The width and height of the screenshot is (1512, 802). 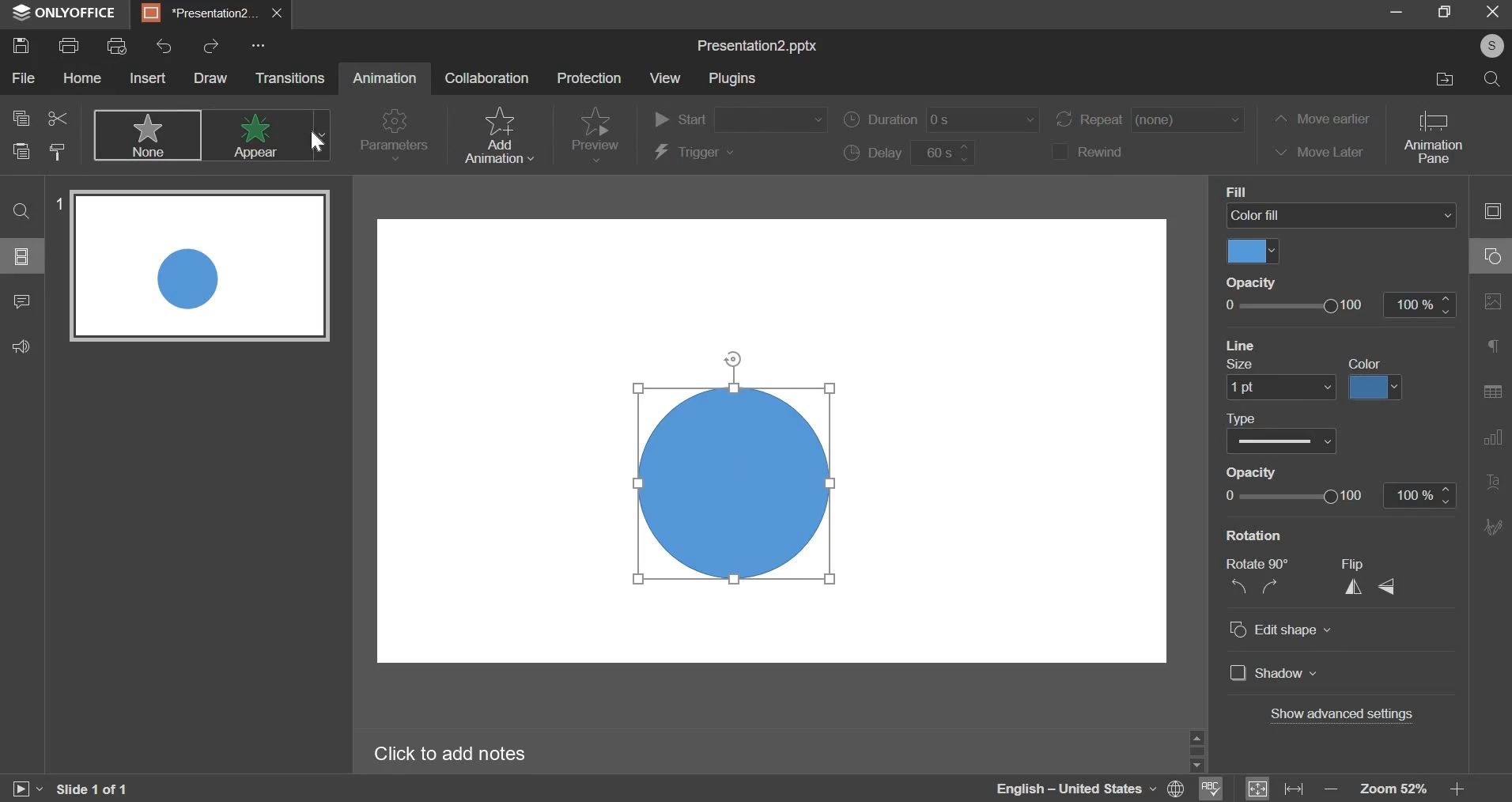 What do you see at coordinates (1257, 581) in the screenshot?
I see `rotation` at bounding box center [1257, 581].